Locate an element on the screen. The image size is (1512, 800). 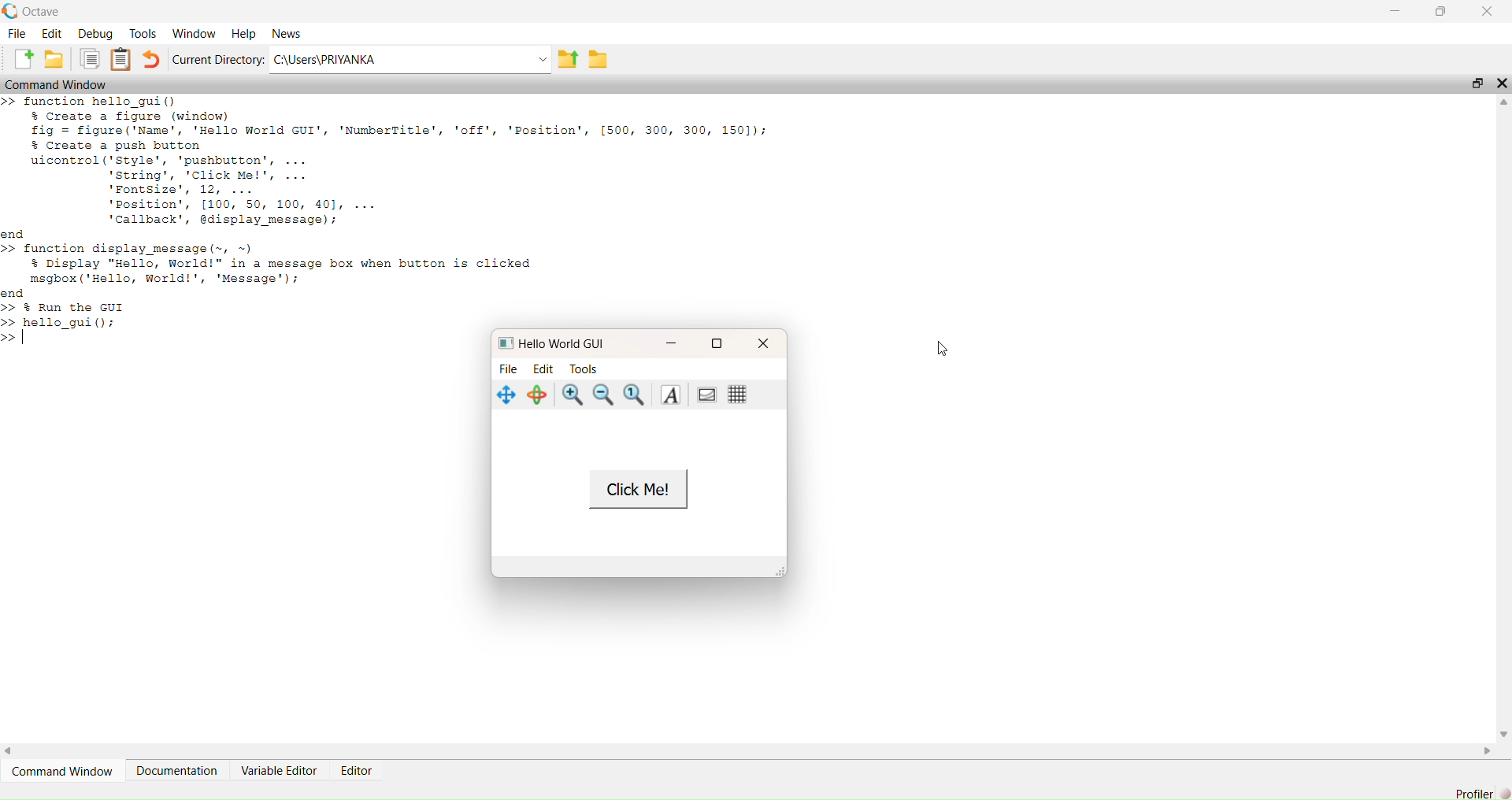
dropdown is located at coordinates (537, 60).